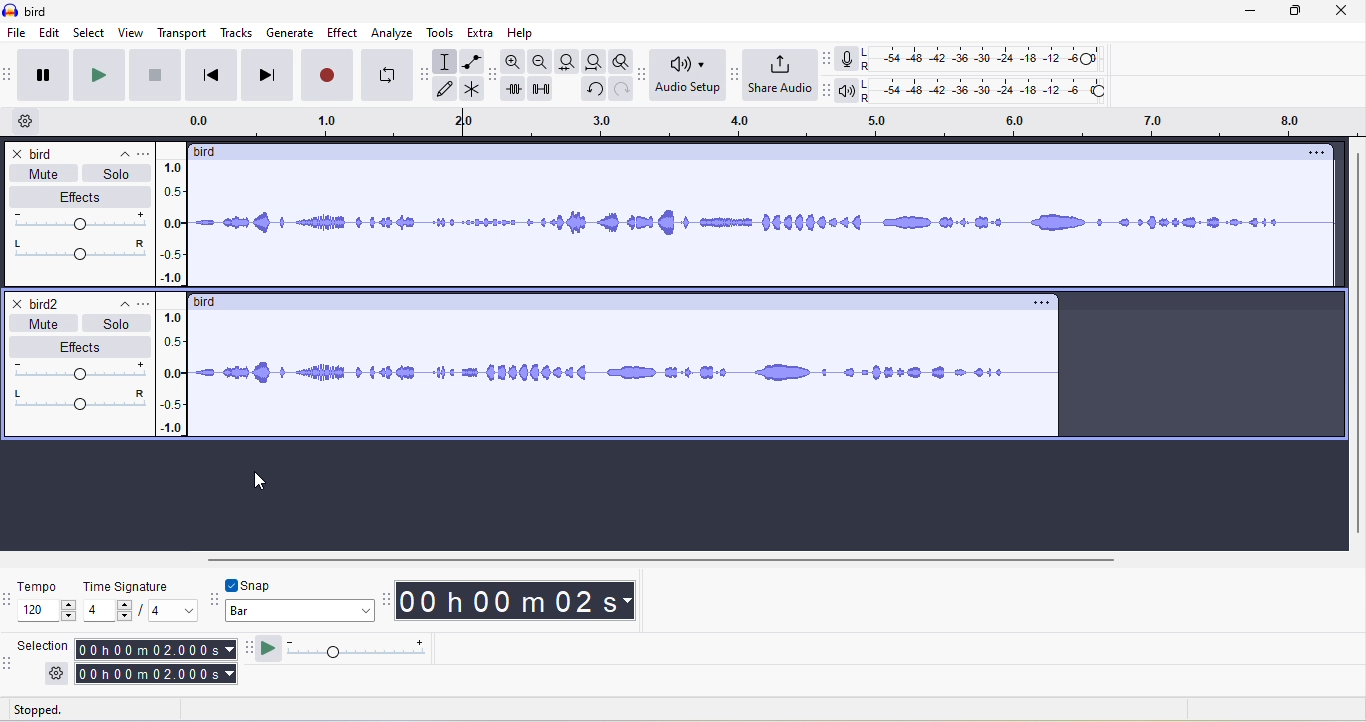 The image size is (1366, 722). I want to click on effects, so click(76, 344).